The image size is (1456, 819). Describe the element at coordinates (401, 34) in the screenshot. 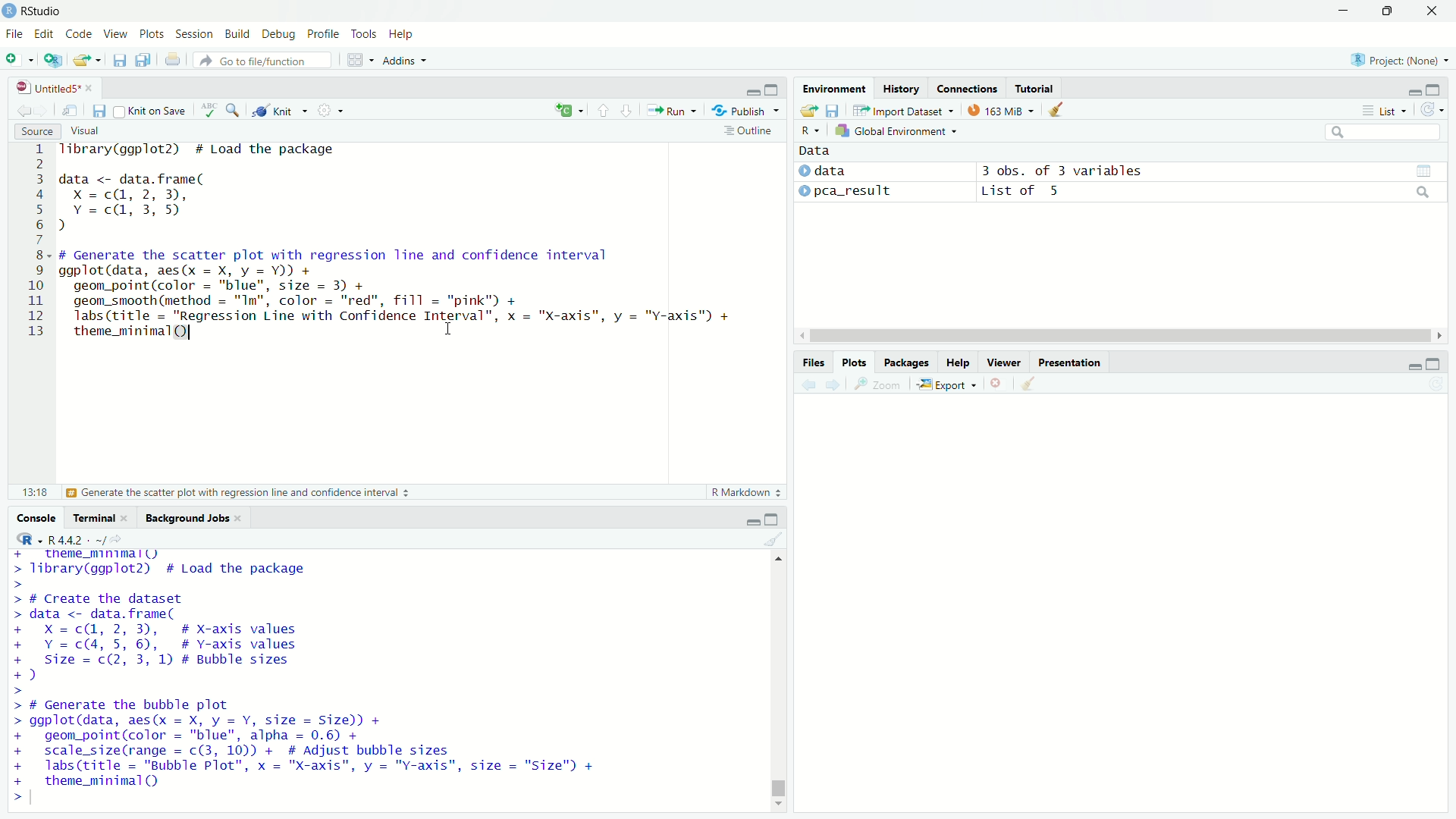

I see `Help` at that location.